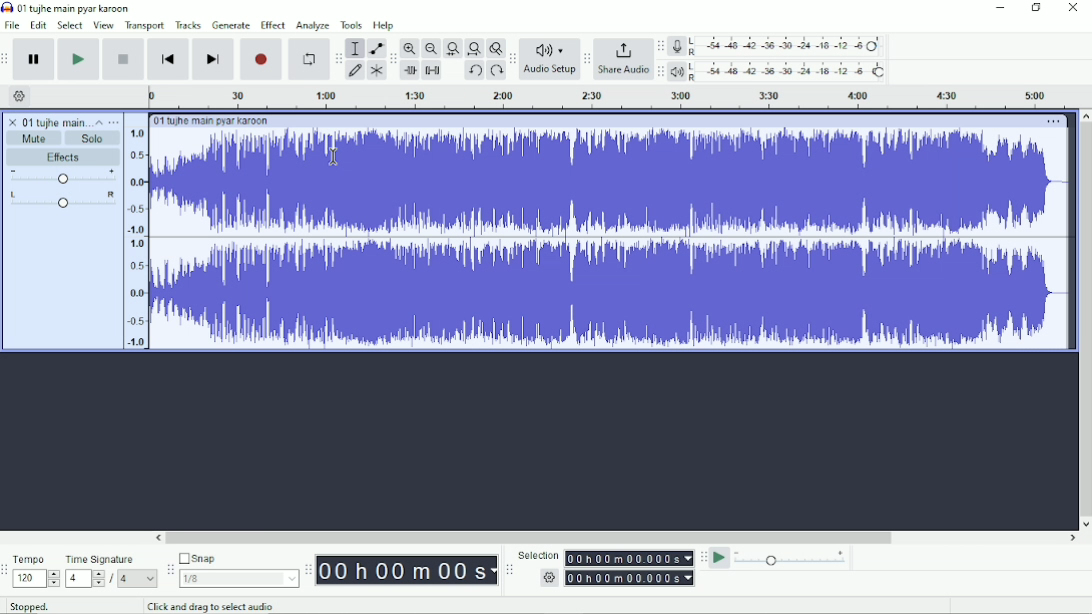 This screenshot has width=1092, height=614. Describe the element at coordinates (189, 25) in the screenshot. I see `Tracks` at that location.